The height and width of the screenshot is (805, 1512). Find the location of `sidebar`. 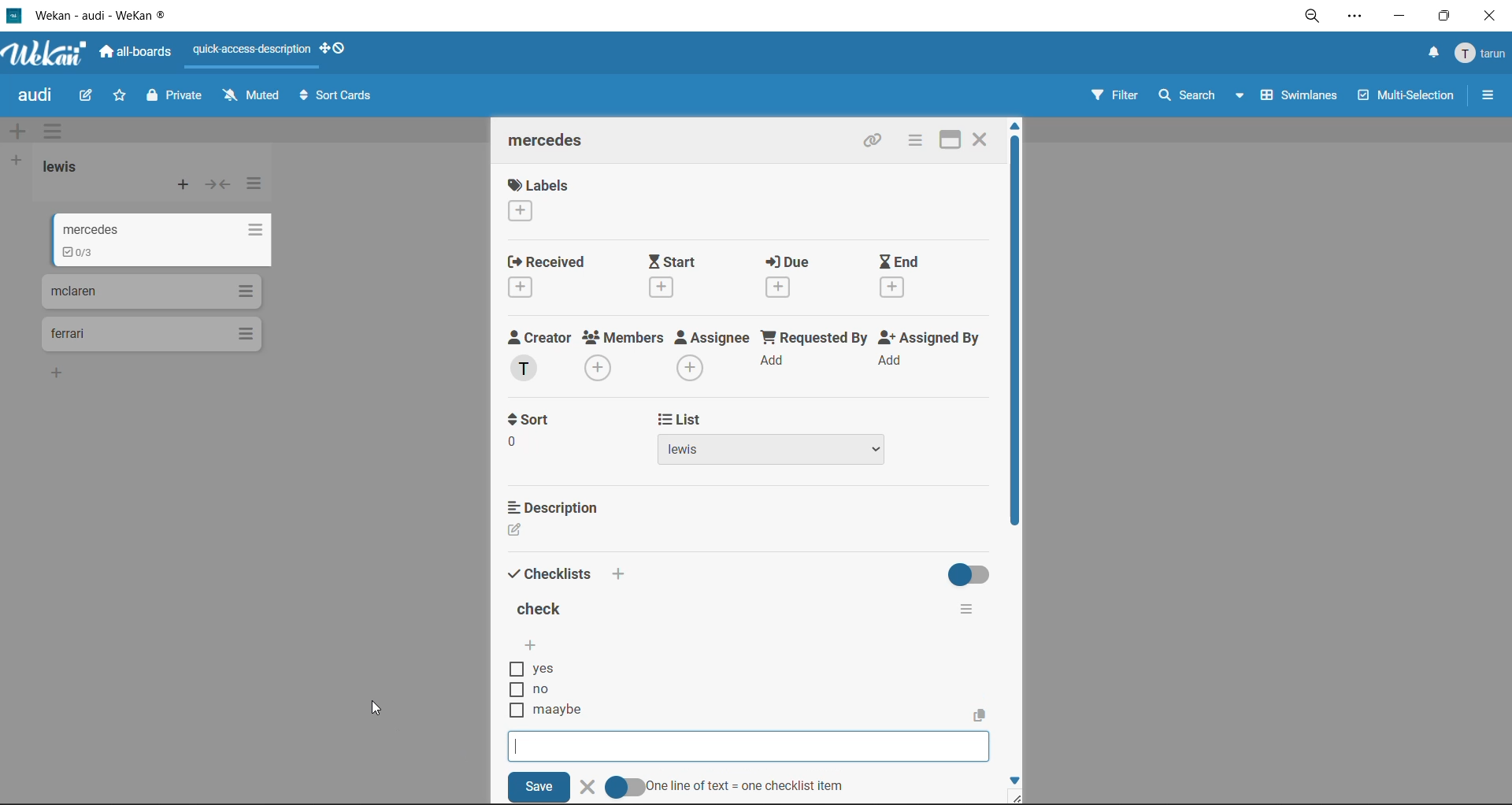

sidebar is located at coordinates (1488, 96).